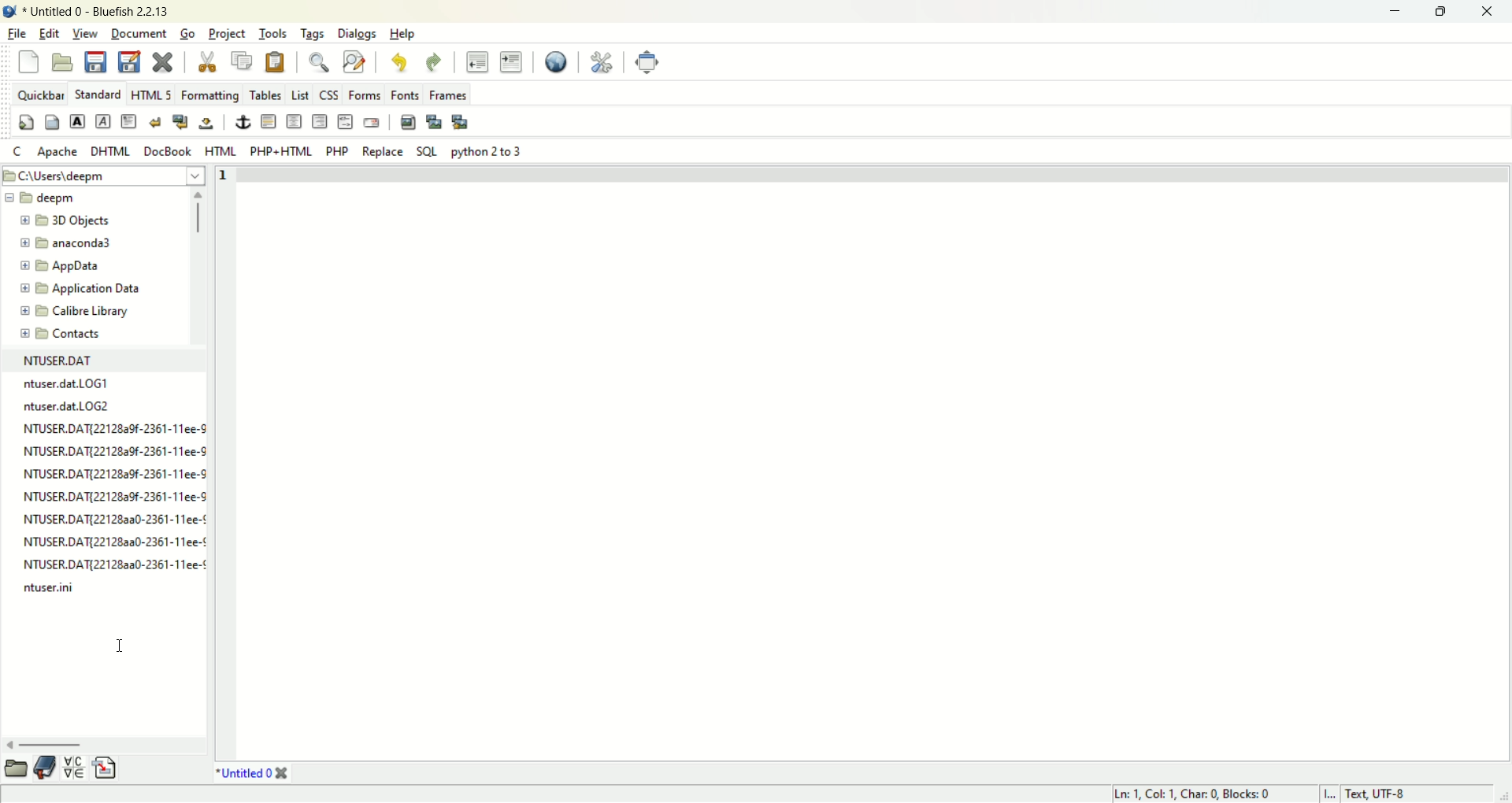 This screenshot has width=1512, height=803. Describe the element at coordinates (1398, 794) in the screenshot. I see `character encoding` at that location.